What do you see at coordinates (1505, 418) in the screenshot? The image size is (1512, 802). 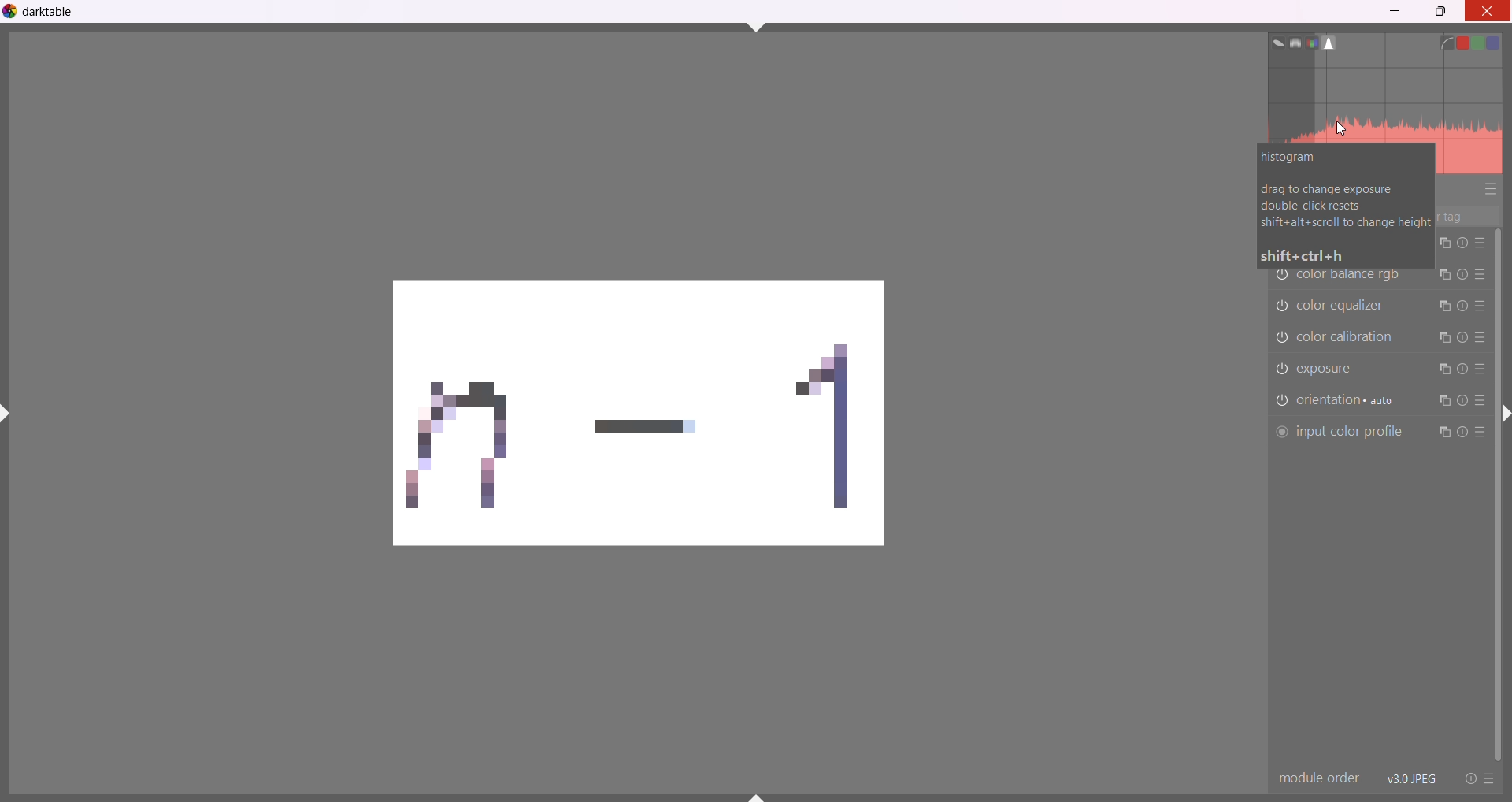 I see `shift+ctrl+r` at bounding box center [1505, 418].